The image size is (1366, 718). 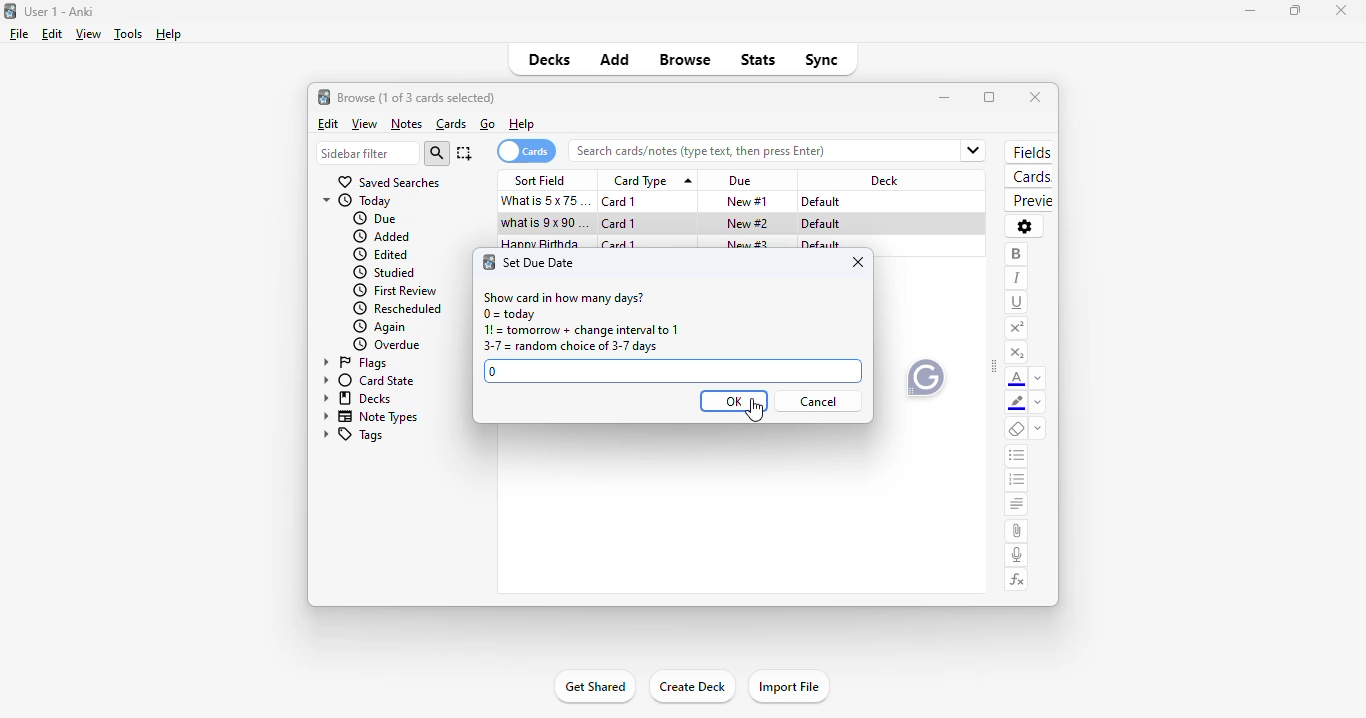 I want to click on search bar, so click(x=757, y=152).